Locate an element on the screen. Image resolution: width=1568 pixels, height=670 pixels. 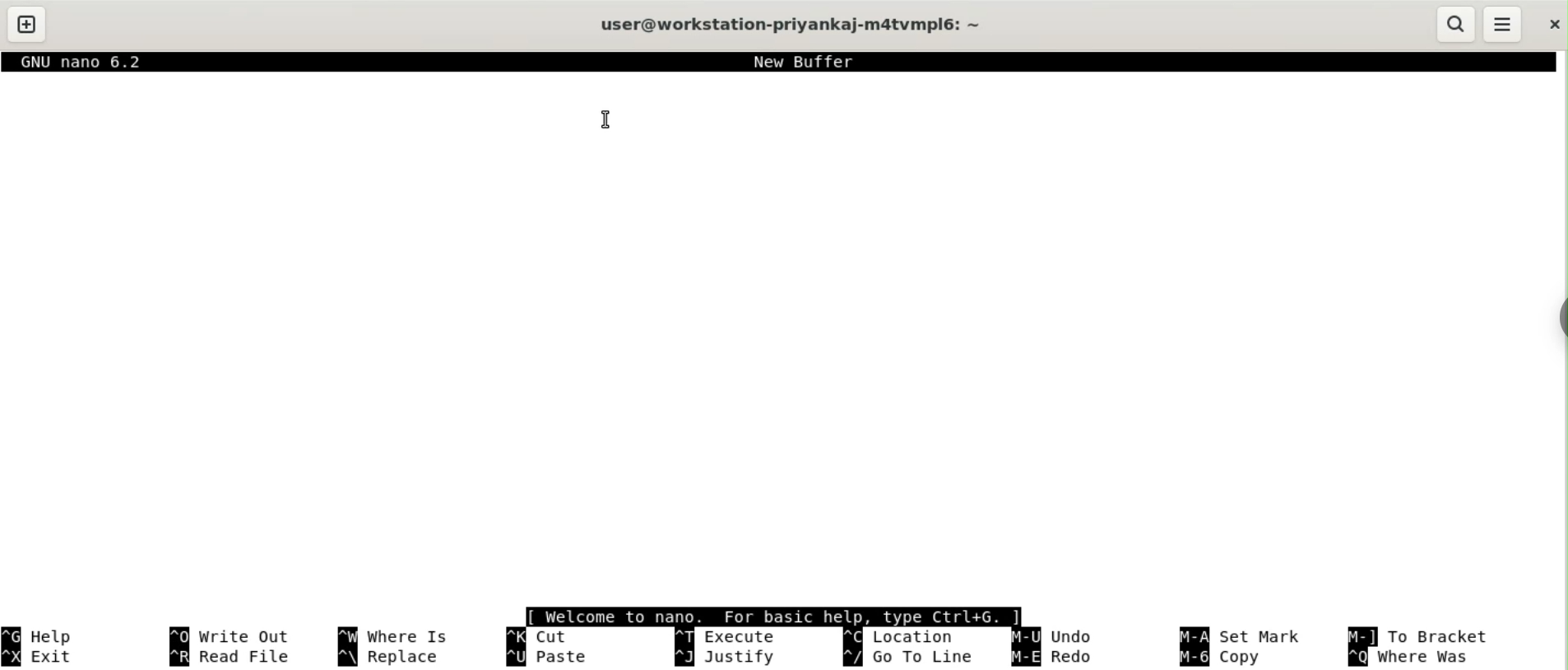
replace is located at coordinates (392, 658).